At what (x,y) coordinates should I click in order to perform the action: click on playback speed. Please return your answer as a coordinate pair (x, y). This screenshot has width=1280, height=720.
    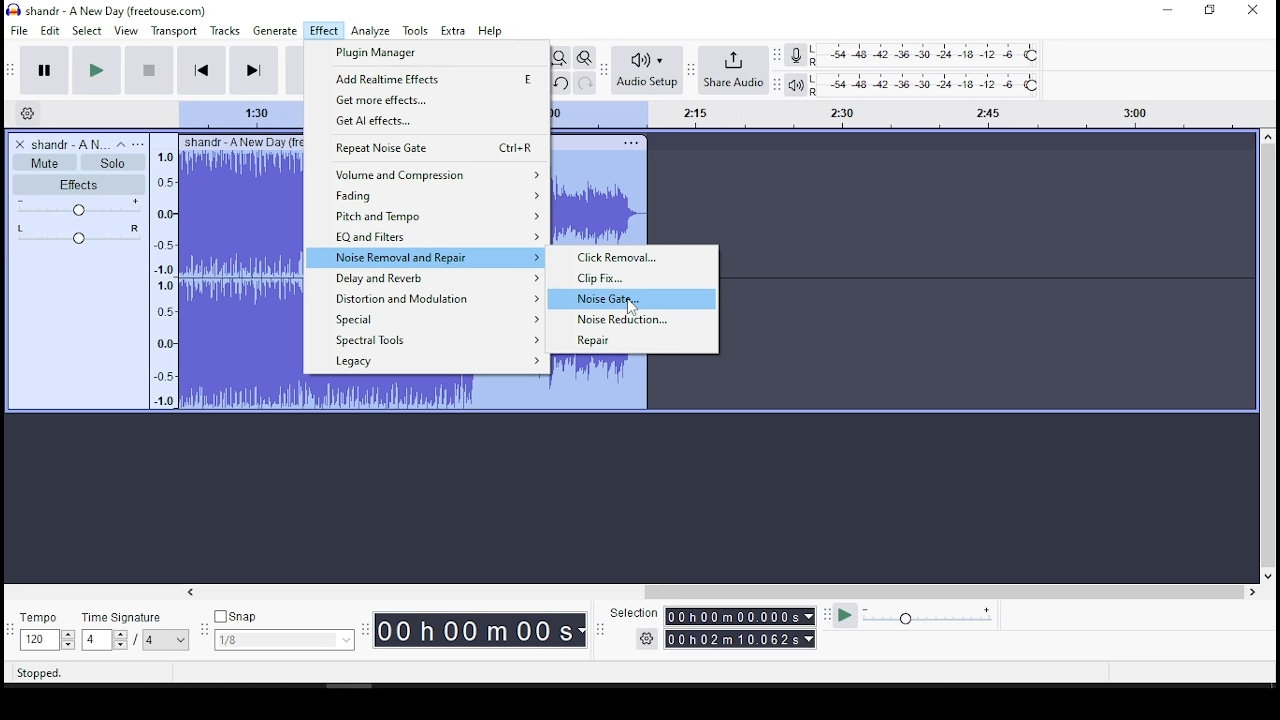
    Looking at the image, I should click on (920, 618).